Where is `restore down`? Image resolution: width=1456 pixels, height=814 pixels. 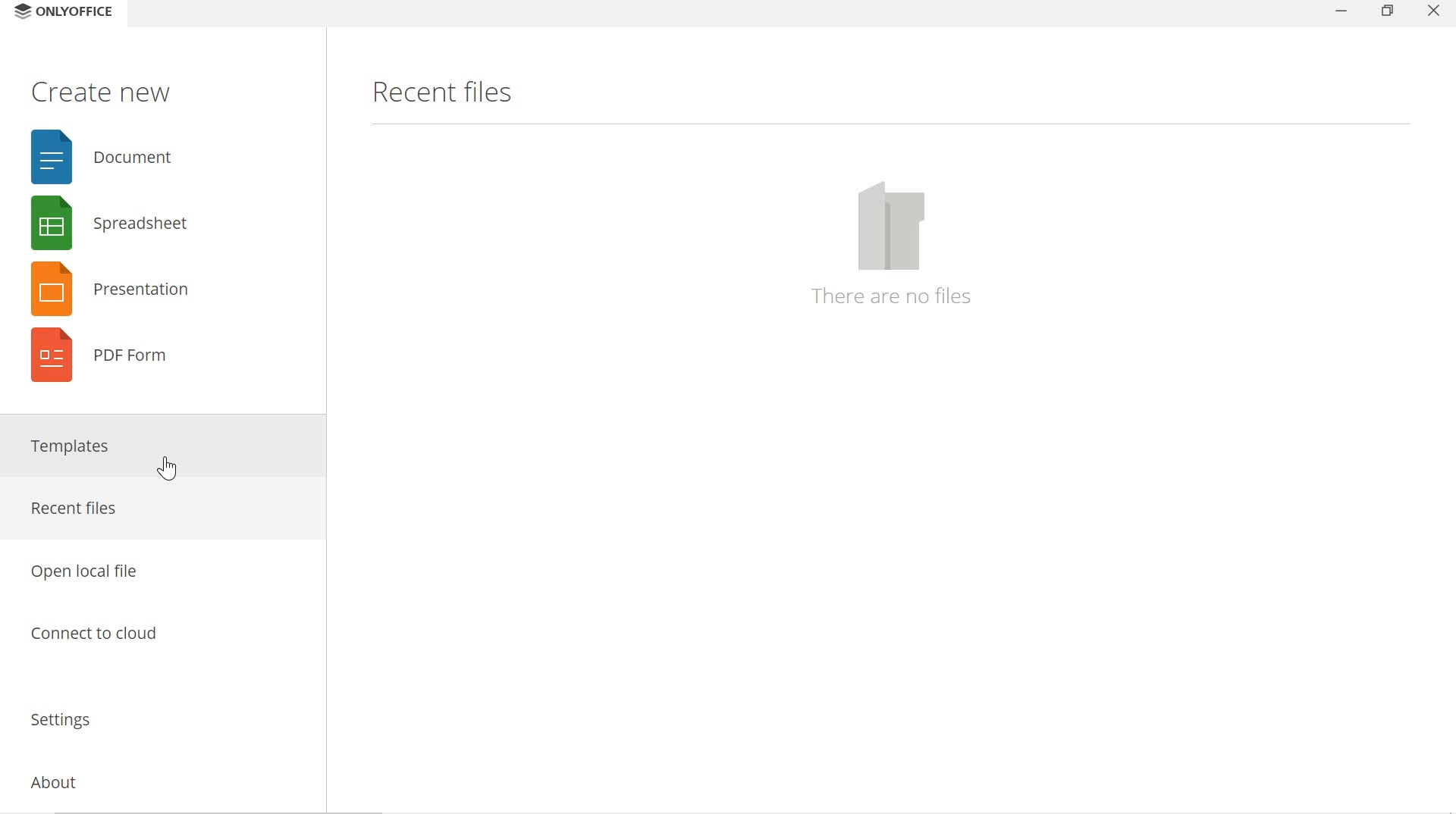 restore down is located at coordinates (1388, 12).